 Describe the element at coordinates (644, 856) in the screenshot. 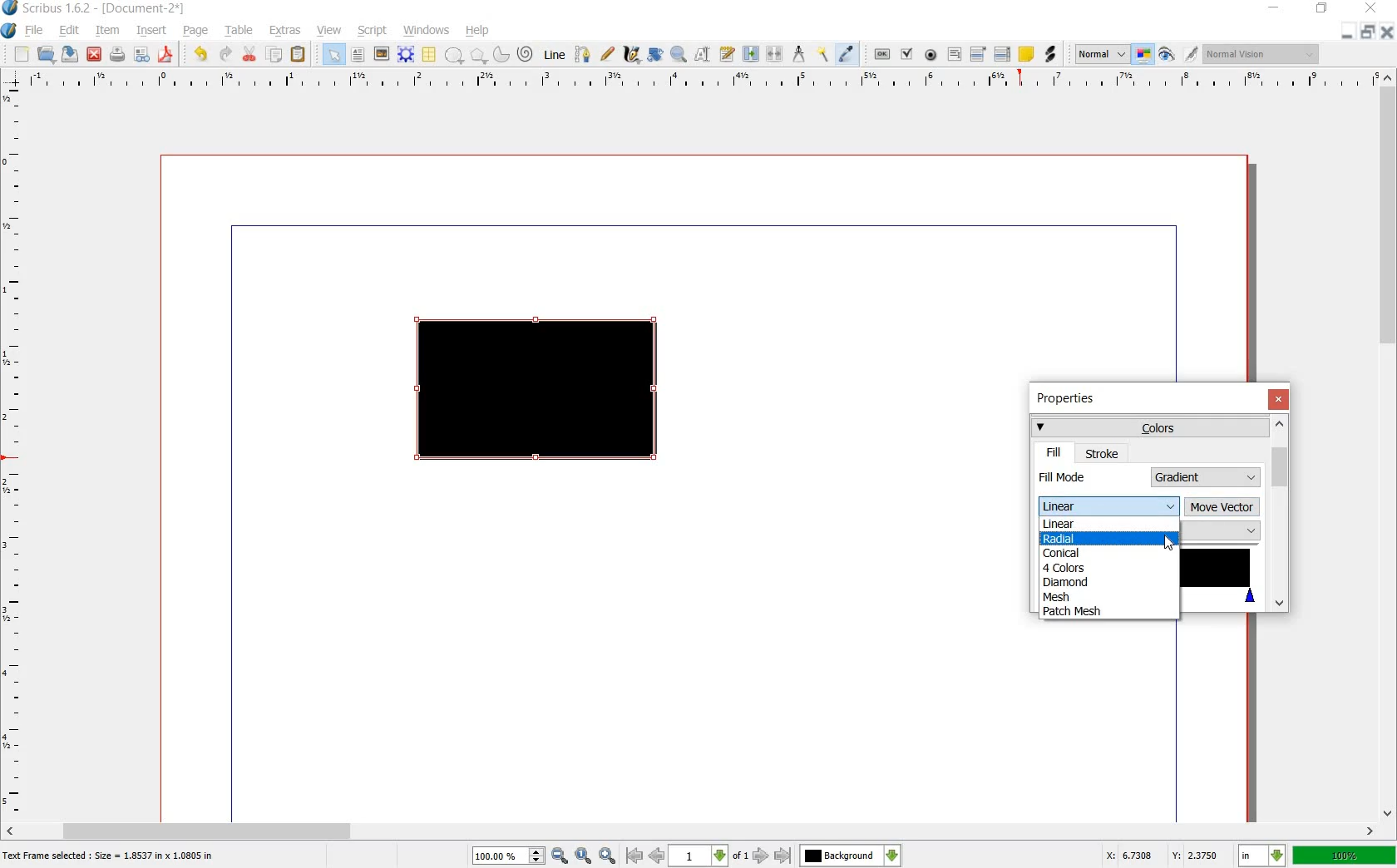

I see `go to previous or first page` at that location.